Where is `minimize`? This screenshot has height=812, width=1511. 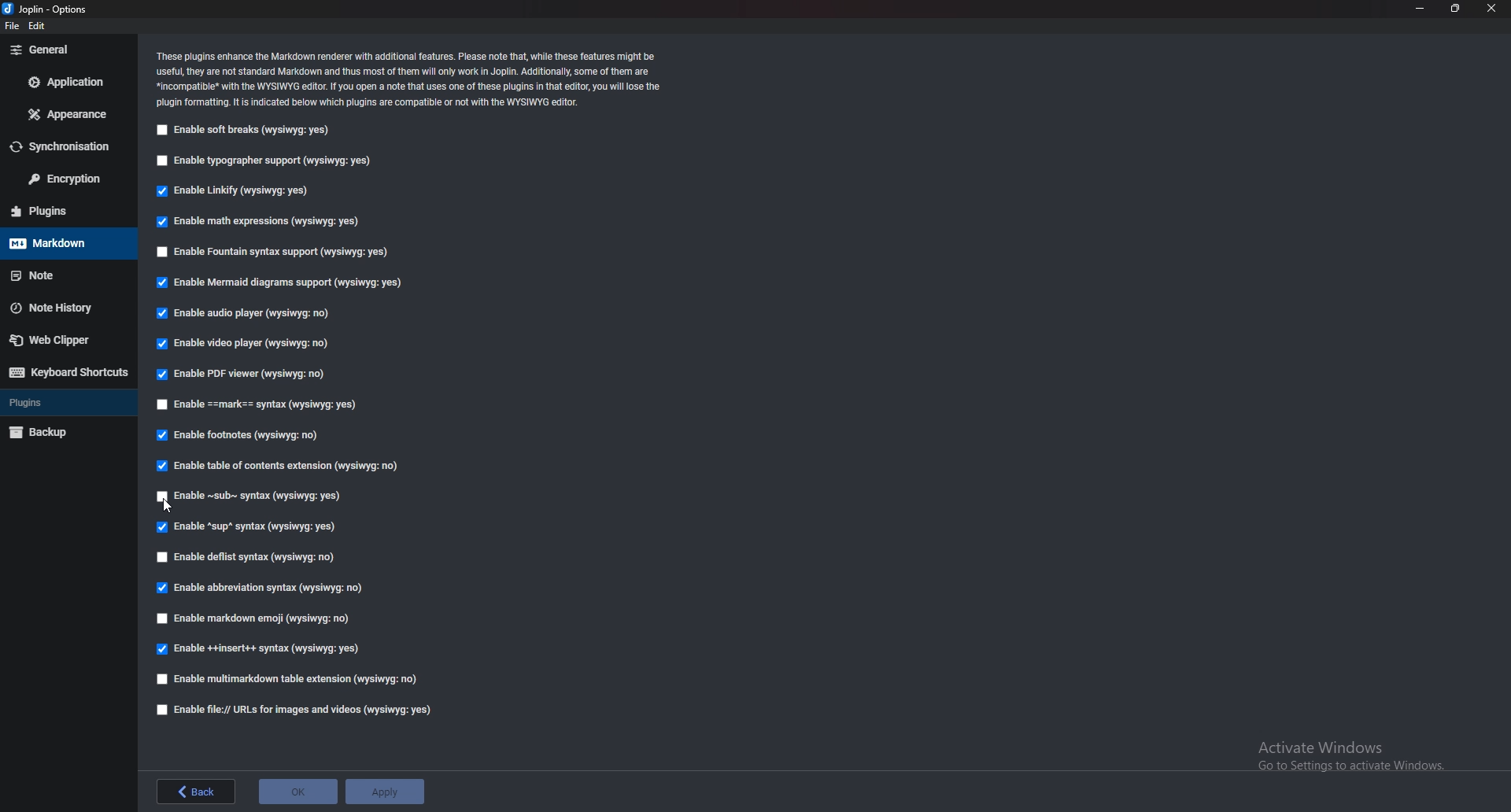 minimize is located at coordinates (1420, 9).